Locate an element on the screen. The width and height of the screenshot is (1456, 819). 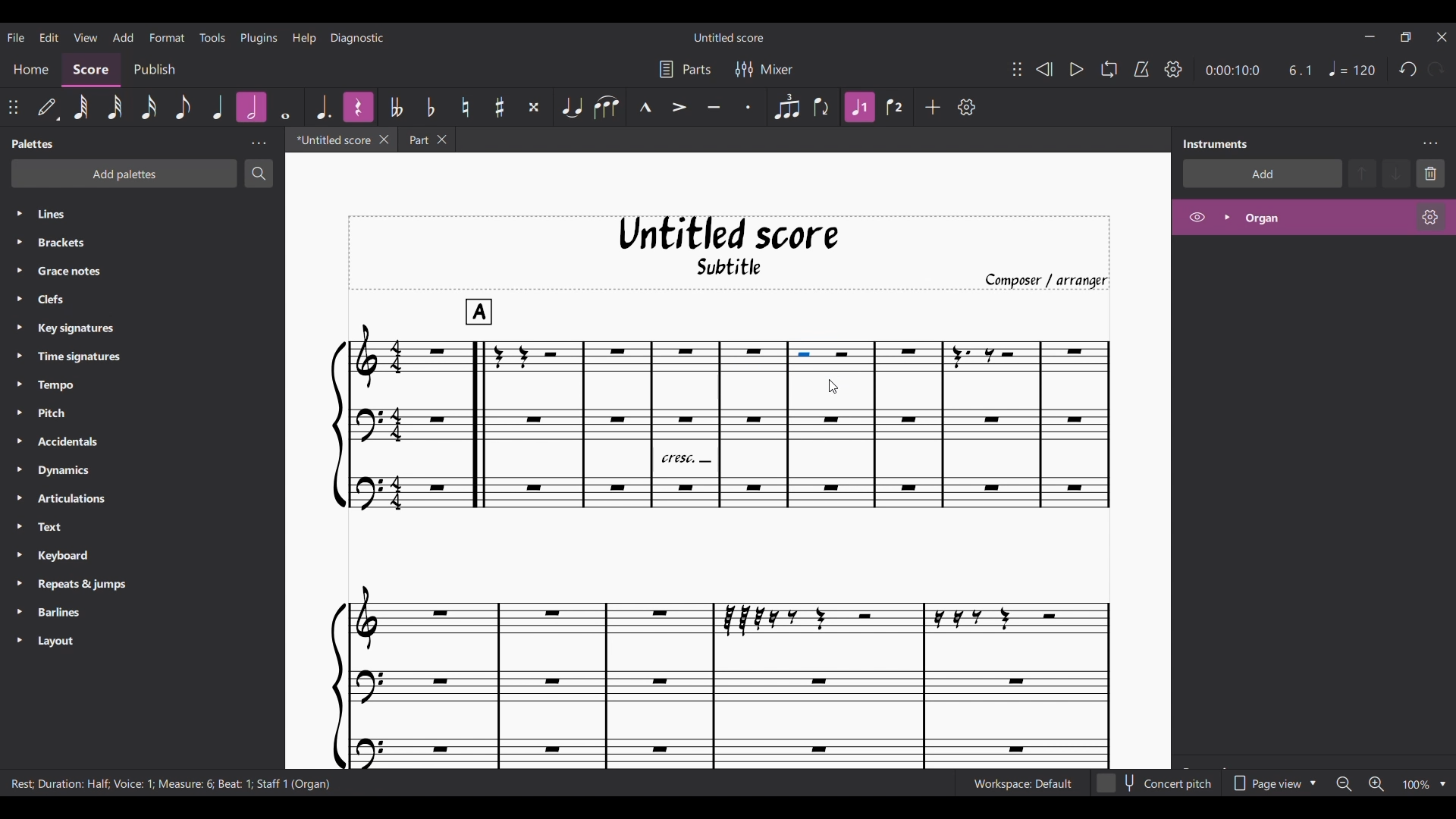
Redo is located at coordinates (1436, 69).